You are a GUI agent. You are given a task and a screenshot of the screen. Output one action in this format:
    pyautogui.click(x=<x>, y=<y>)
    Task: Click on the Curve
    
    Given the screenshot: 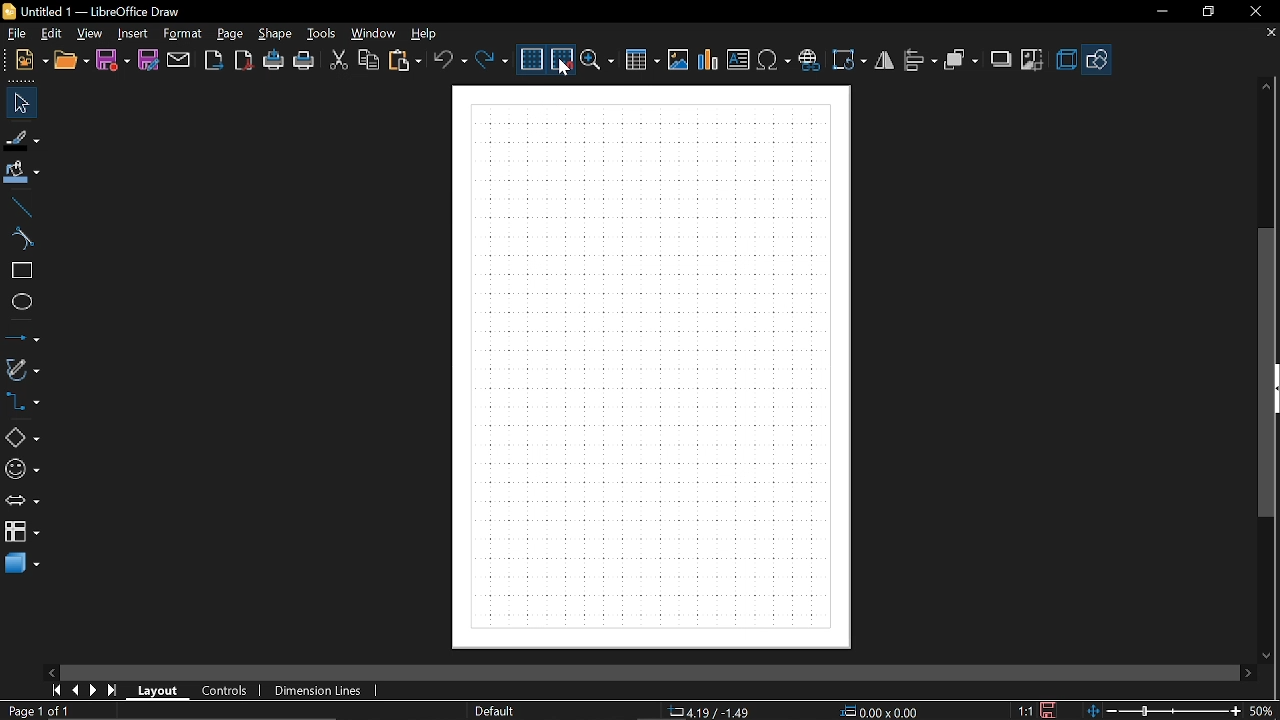 What is the action you would take?
    pyautogui.click(x=21, y=240)
    